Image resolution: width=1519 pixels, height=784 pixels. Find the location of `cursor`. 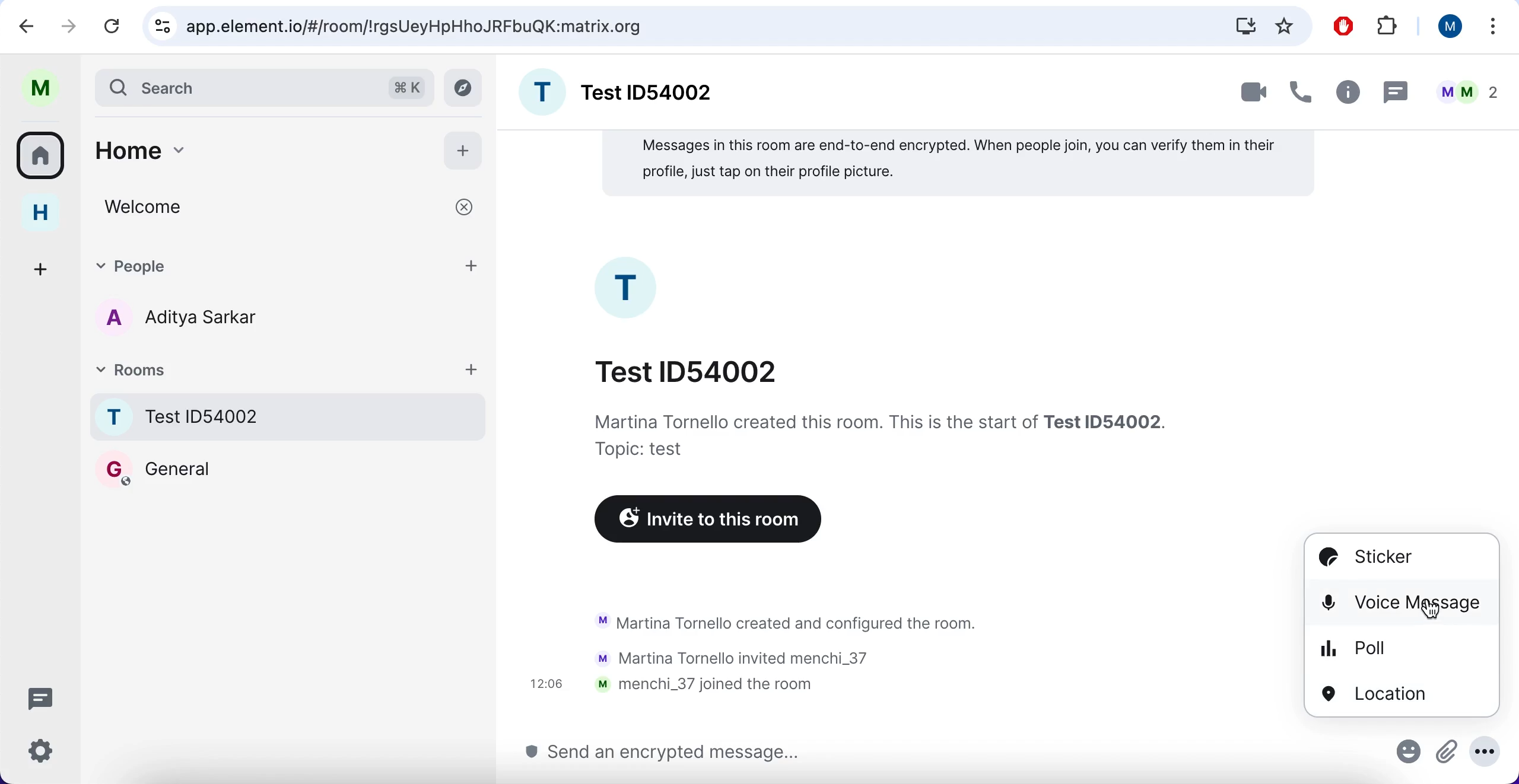

cursor is located at coordinates (1431, 610).